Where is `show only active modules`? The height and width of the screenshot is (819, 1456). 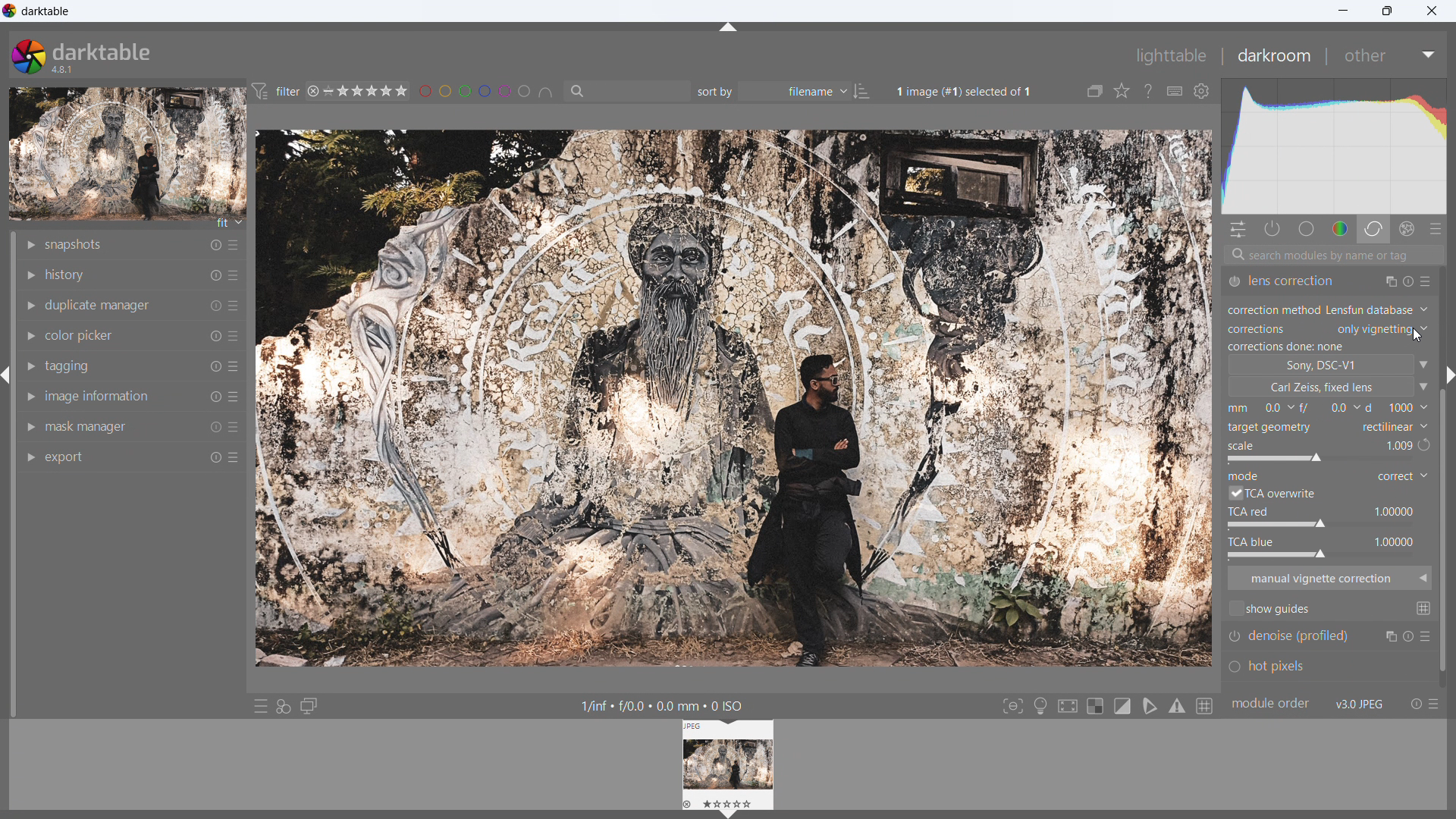
show only active modules is located at coordinates (1272, 230).